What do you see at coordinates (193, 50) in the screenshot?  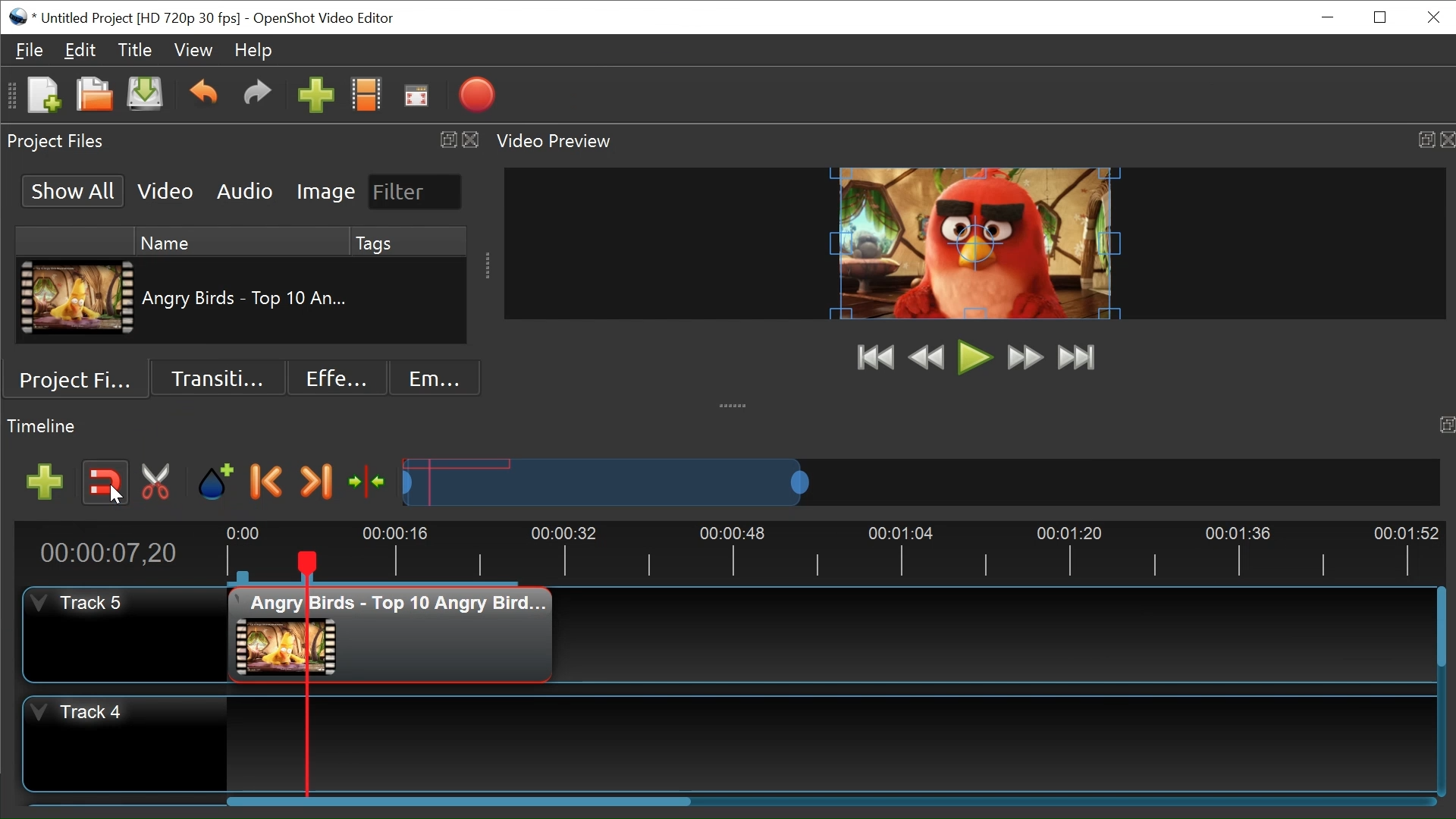 I see `View` at bounding box center [193, 50].